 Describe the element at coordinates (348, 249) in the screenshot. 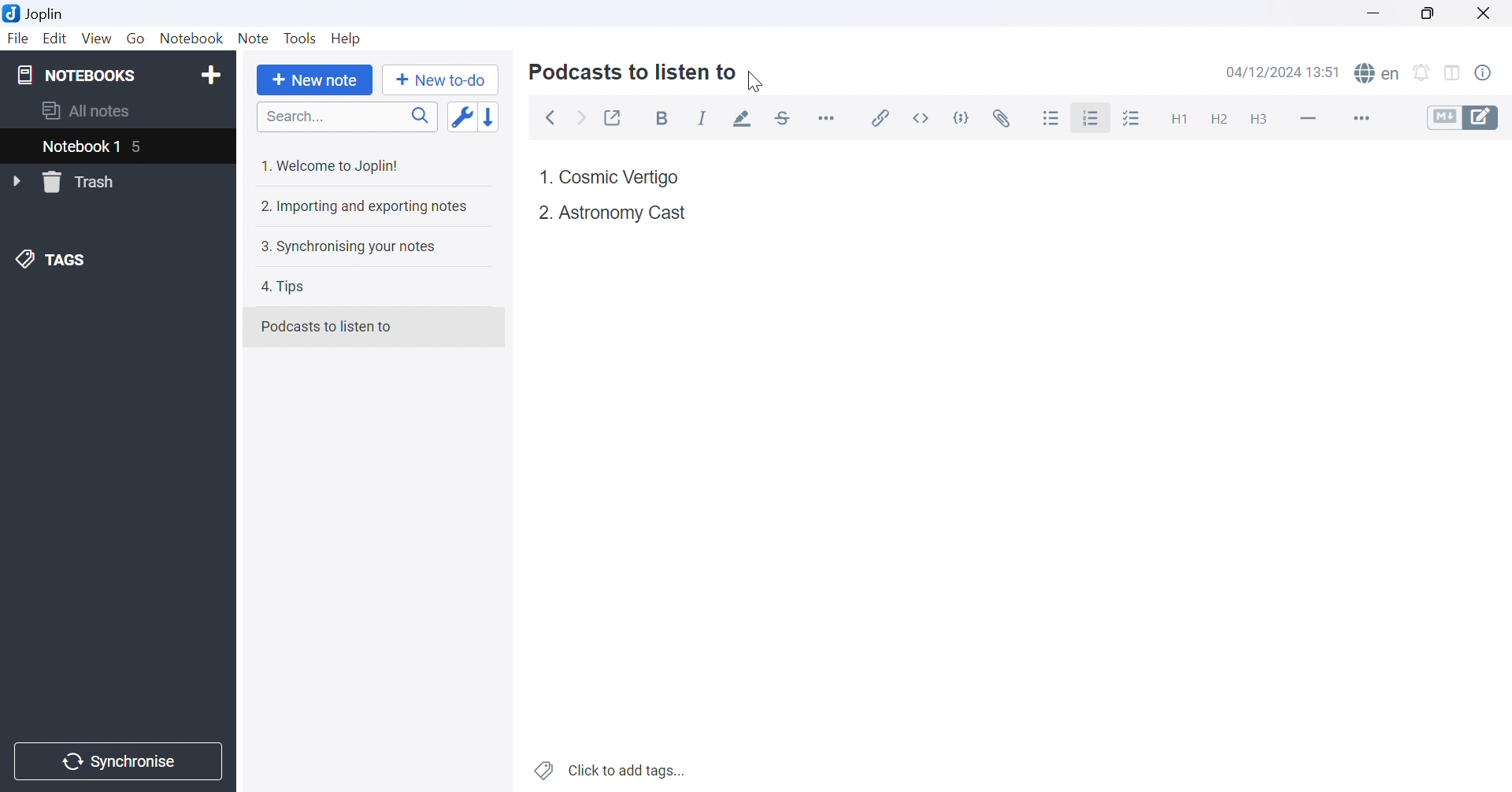

I see `3. Synchronising your notes` at that location.